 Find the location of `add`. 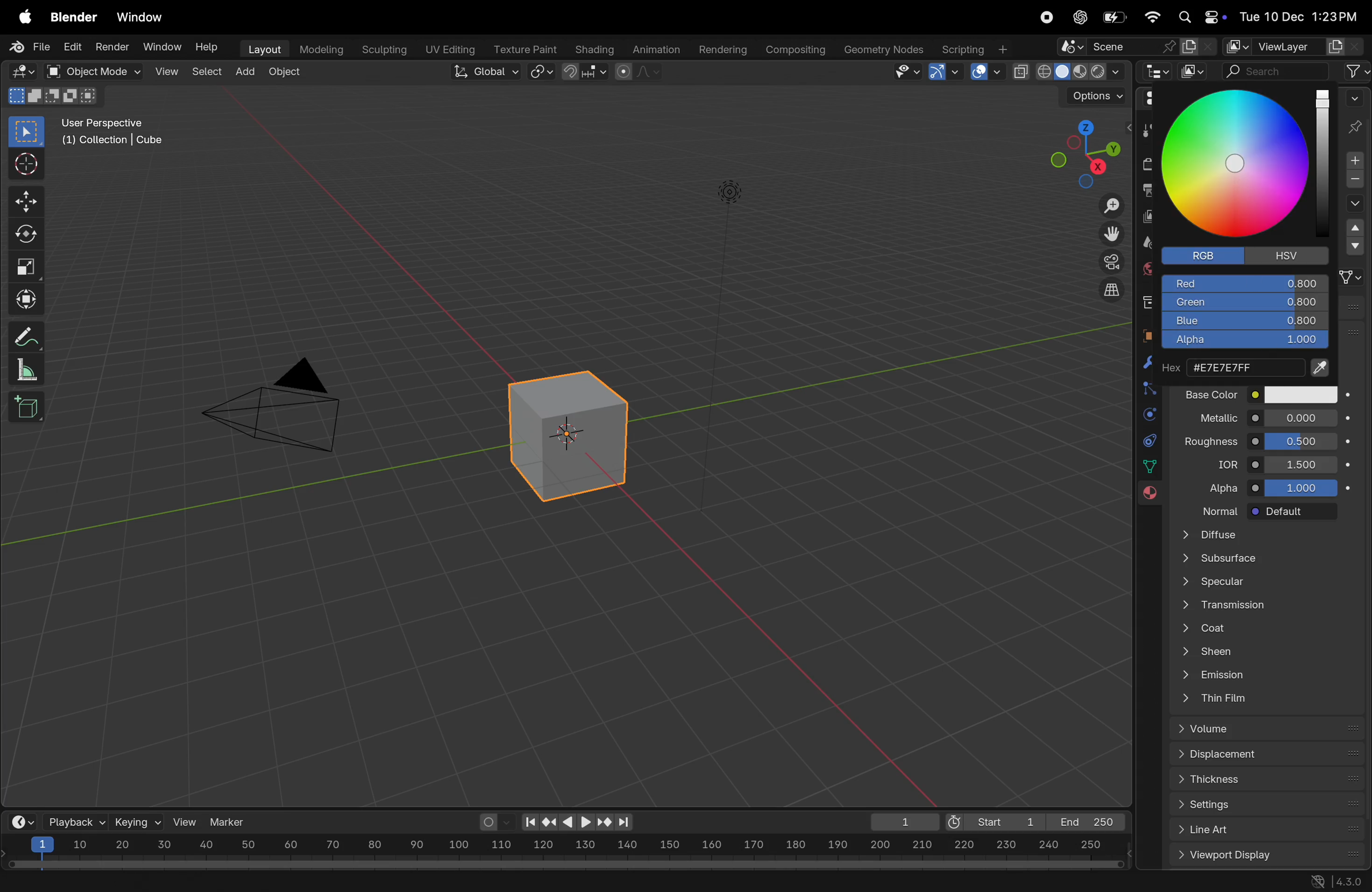

add is located at coordinates (246, 69).